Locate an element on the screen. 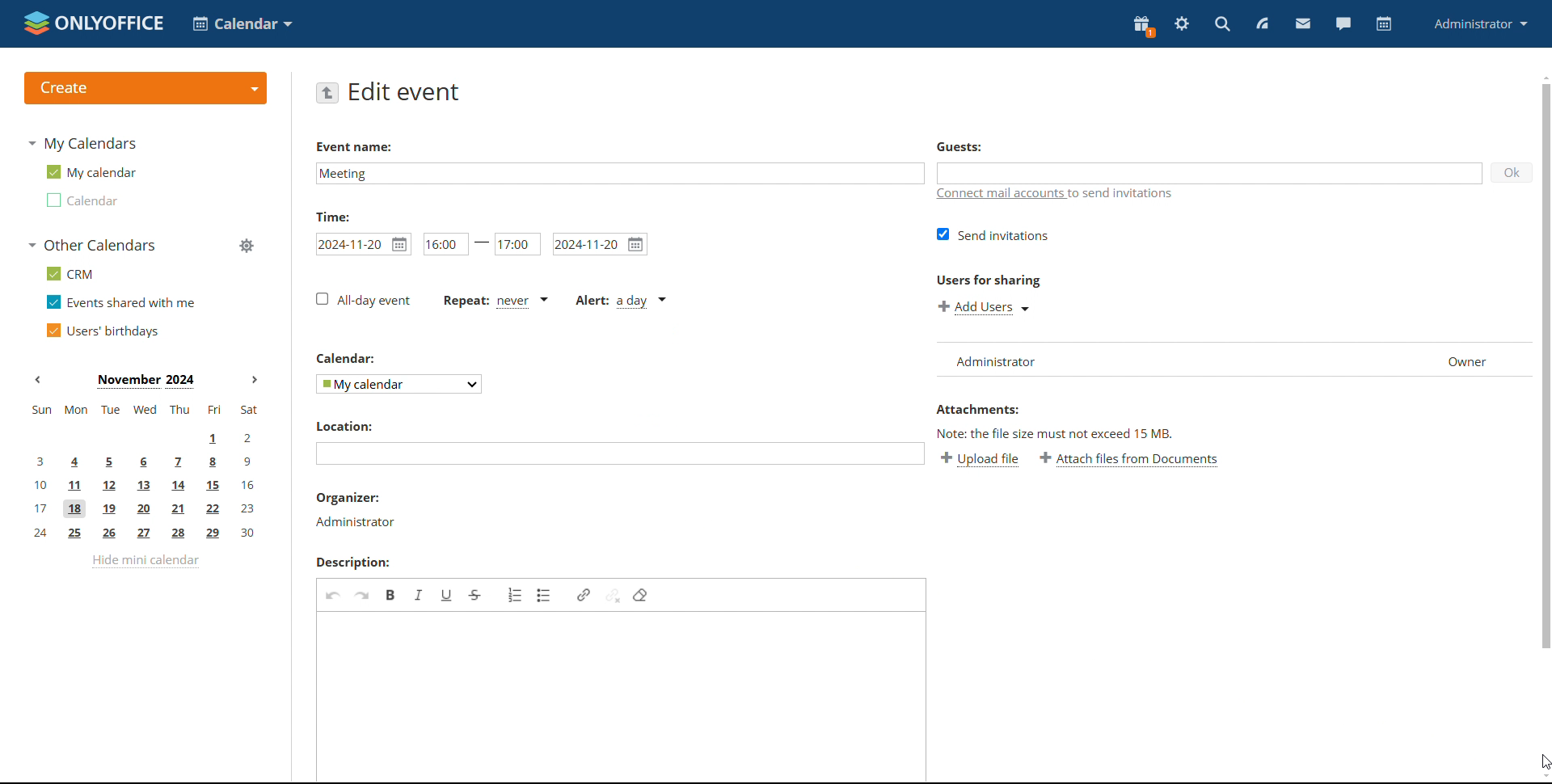 The height and width of the screenshot is (784, 1552). ok is located at coordinates (1512, 173).